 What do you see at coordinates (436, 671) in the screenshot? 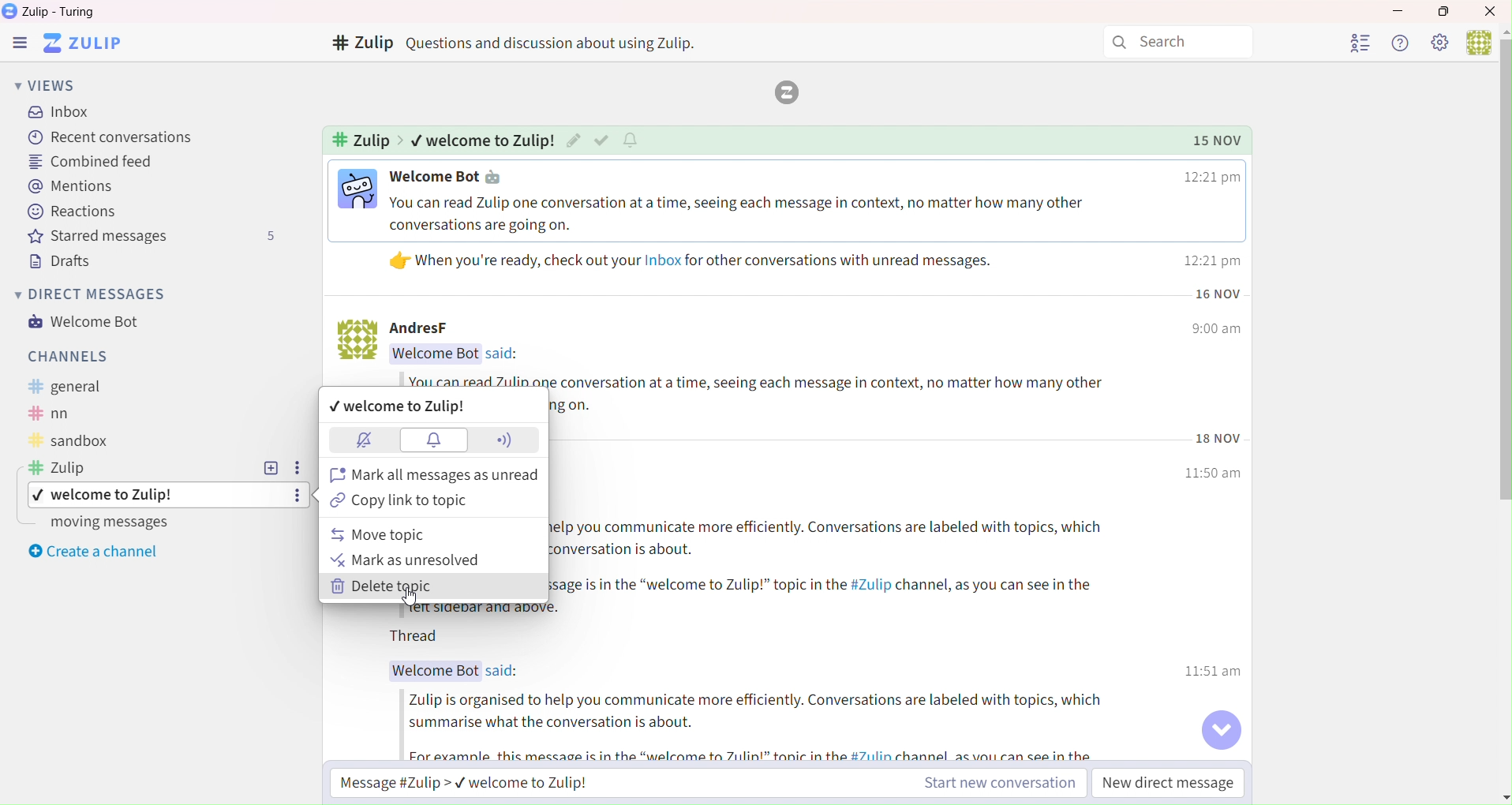
I see `Text` at bounding box center [436, 671].